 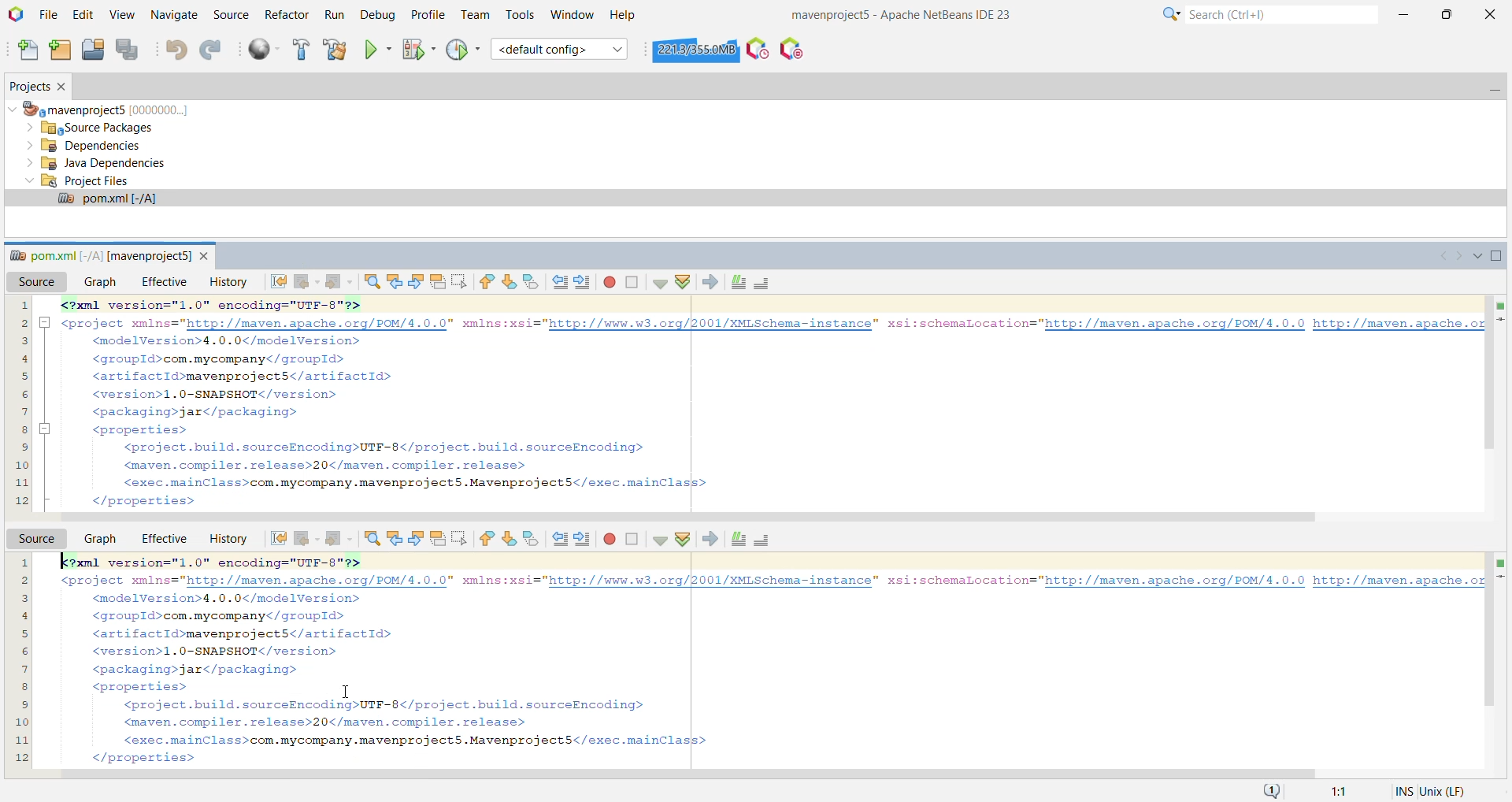 I want to click on Open Project, so click(x=93, y=50).